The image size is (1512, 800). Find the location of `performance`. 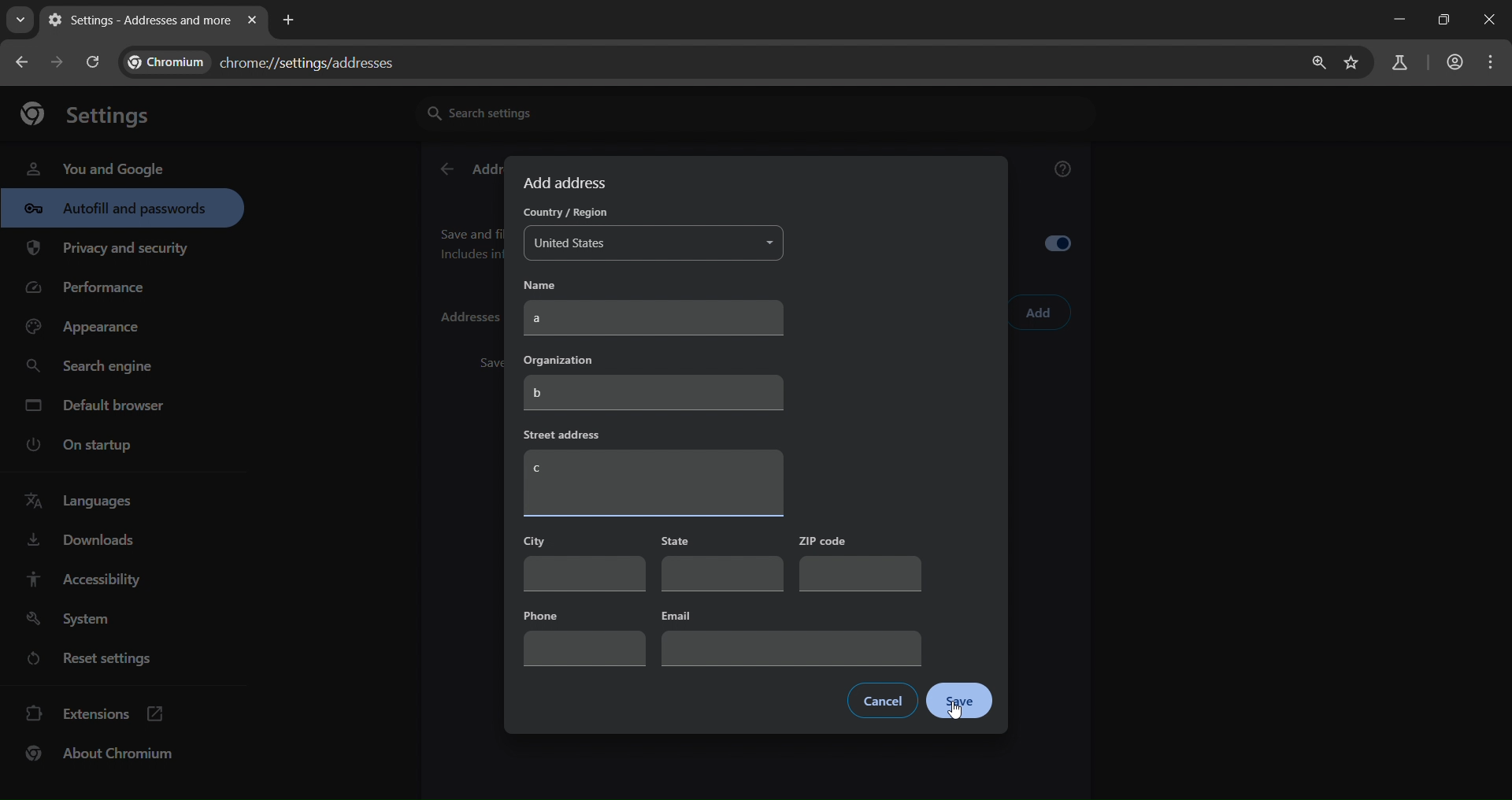

performance is located at coordinates (91, 291).